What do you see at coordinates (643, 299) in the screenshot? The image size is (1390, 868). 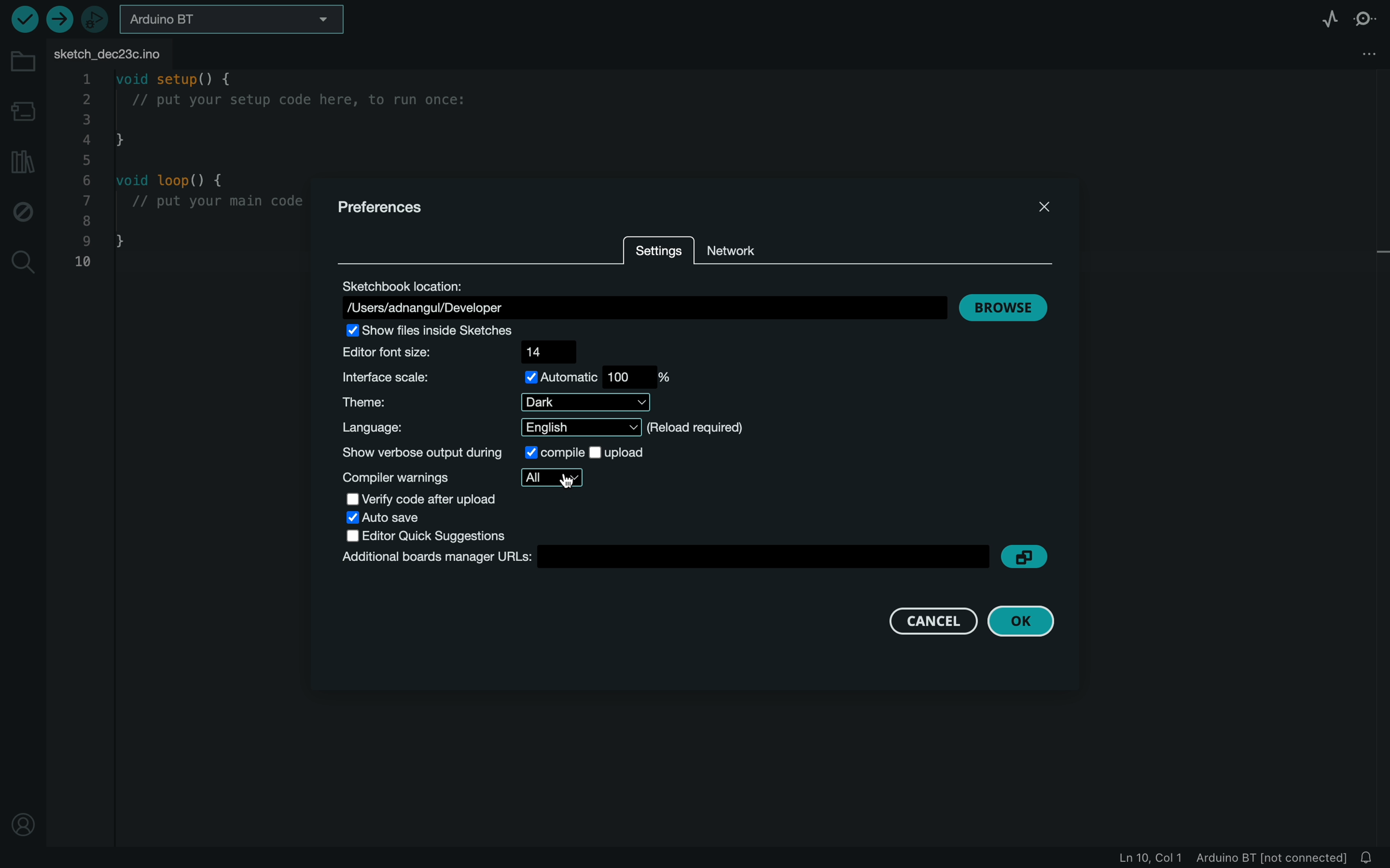 I see `location` at bounding box center [643, 299].